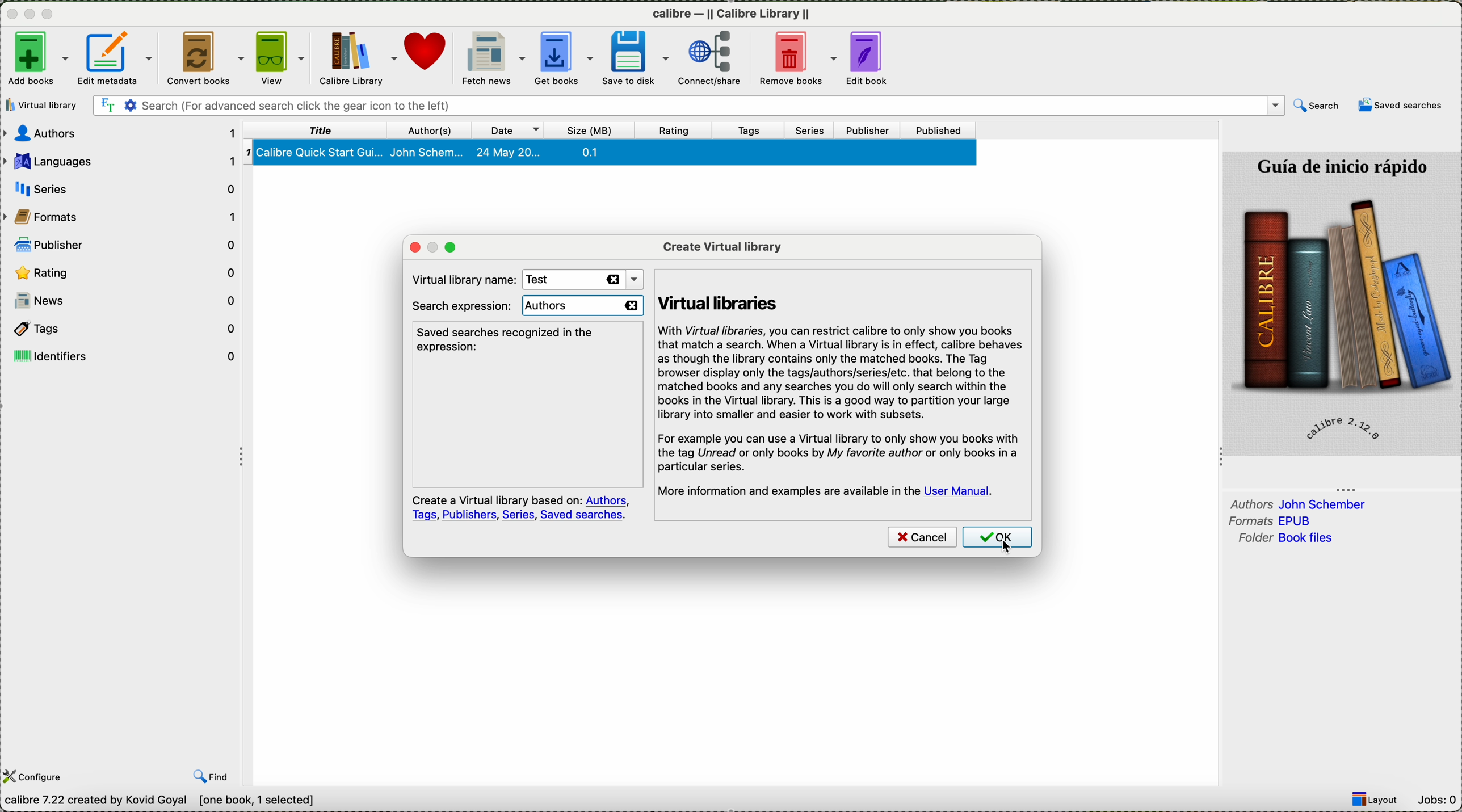  Describe the element at coordinates (1341, 302) in the screenshot. I see `calibre quick start guide preview` at that location.